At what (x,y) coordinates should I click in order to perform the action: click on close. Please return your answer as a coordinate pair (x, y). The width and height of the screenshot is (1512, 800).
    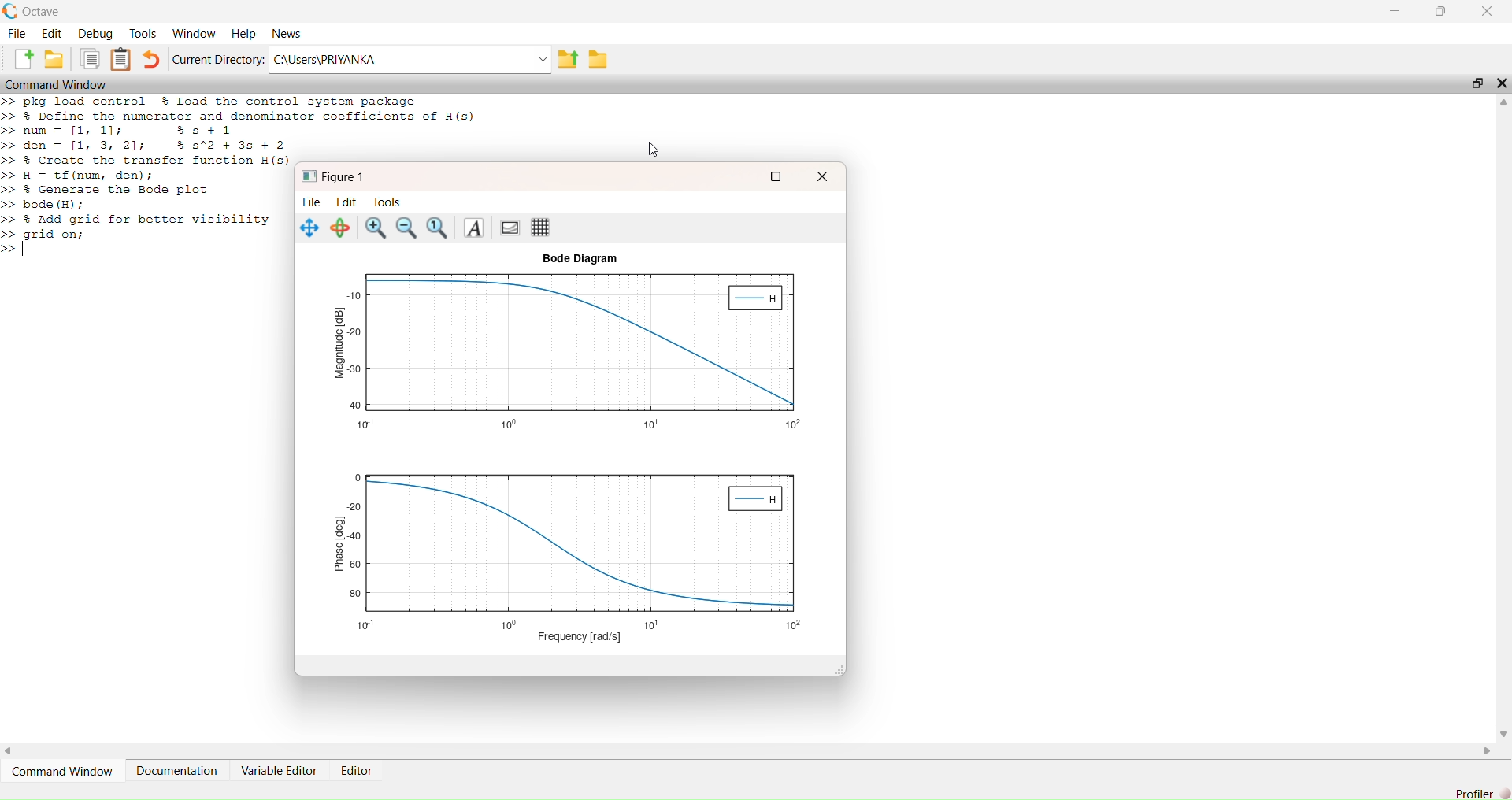
    Looking at the image, I should click on (821, 176).